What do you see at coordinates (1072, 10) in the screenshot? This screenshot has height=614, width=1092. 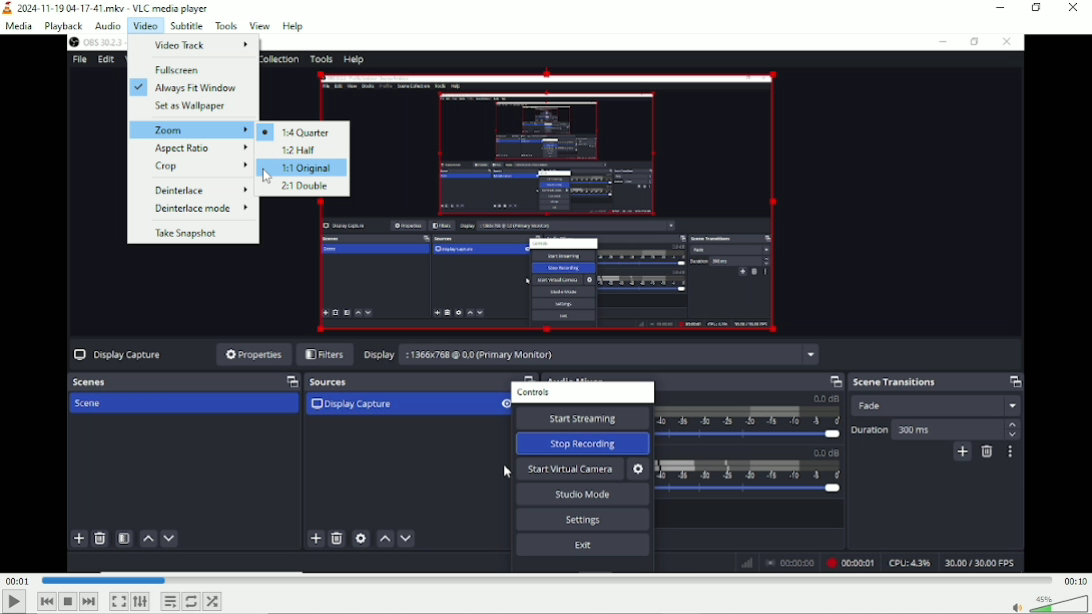 I see `Close` at bounding box center [1072, 10].